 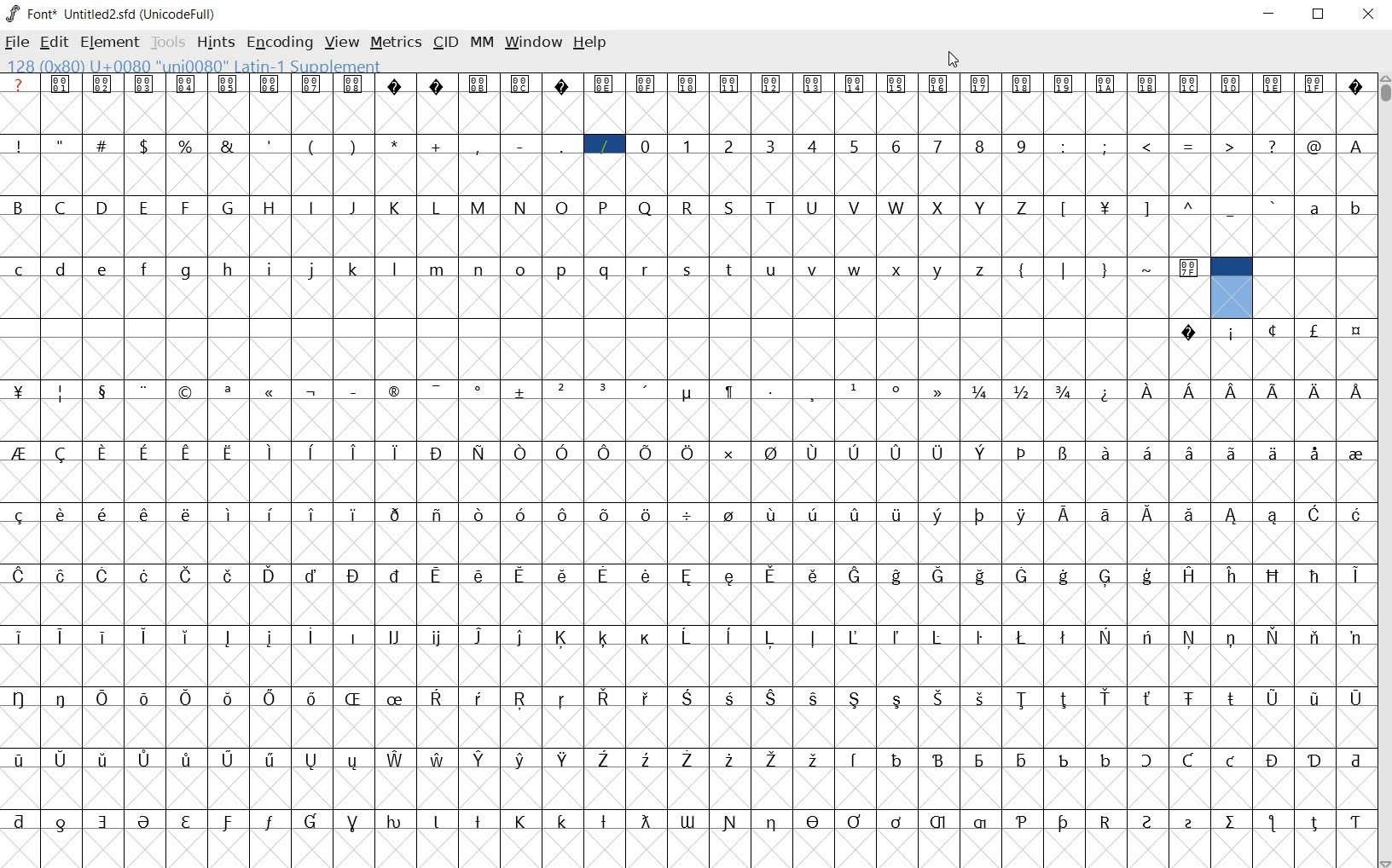 I want to click on Symbol, so click(x=190, y=820).